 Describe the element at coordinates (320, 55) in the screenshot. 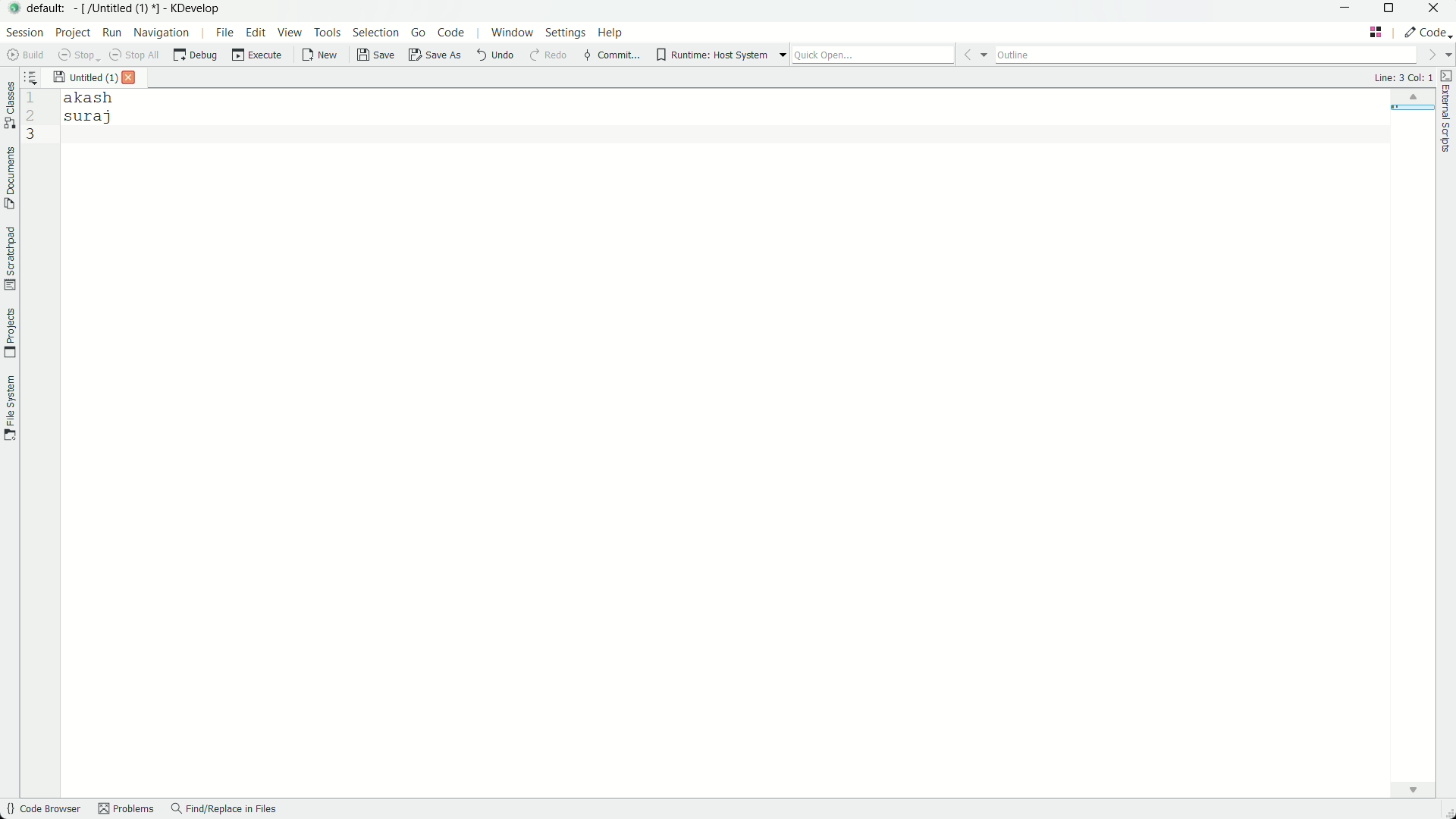

I see `New` at that location.